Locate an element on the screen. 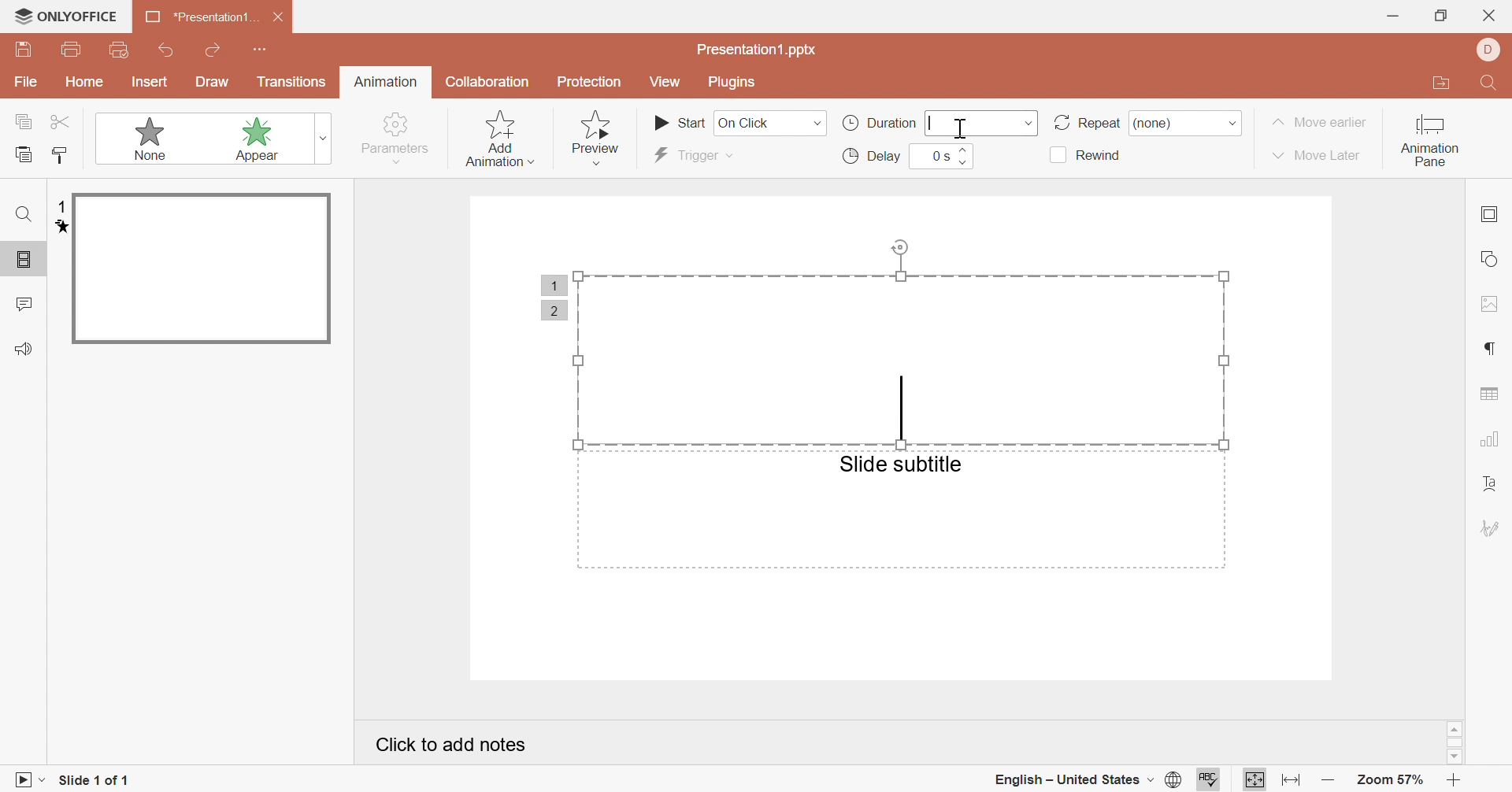  more animations is located at coordinates (324, 138).